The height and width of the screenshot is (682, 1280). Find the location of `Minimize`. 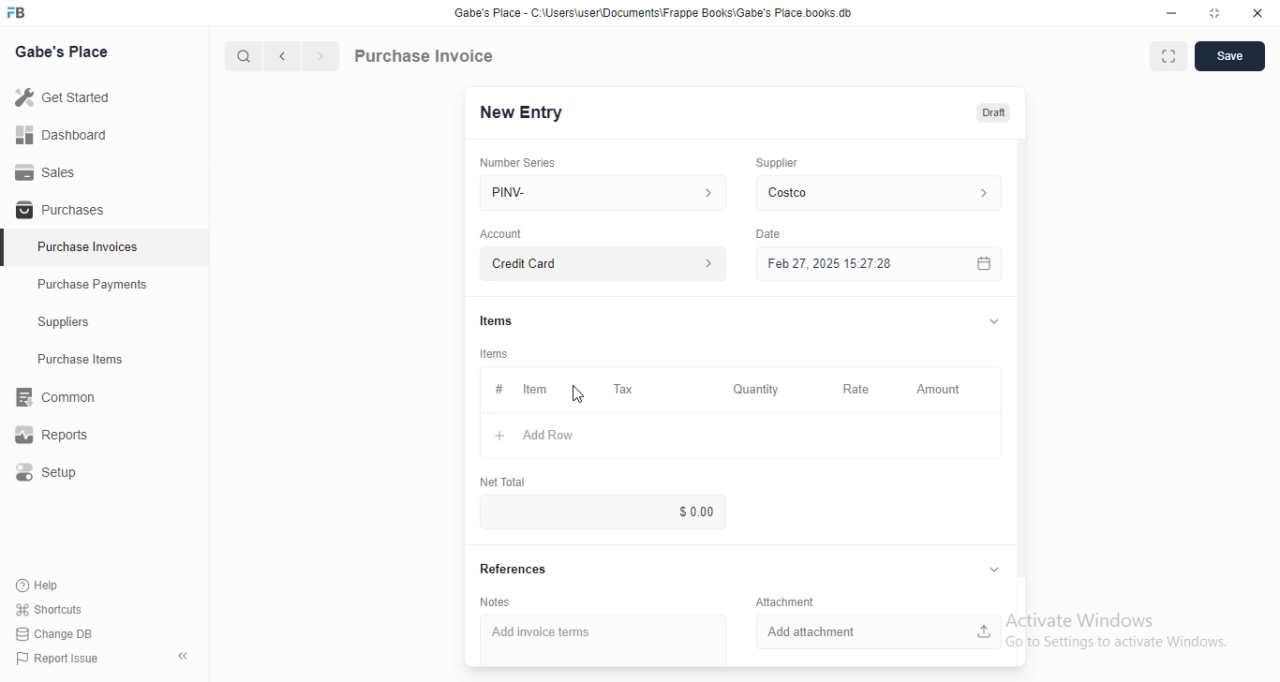

Minimize is located at coordinates (1171, 13).